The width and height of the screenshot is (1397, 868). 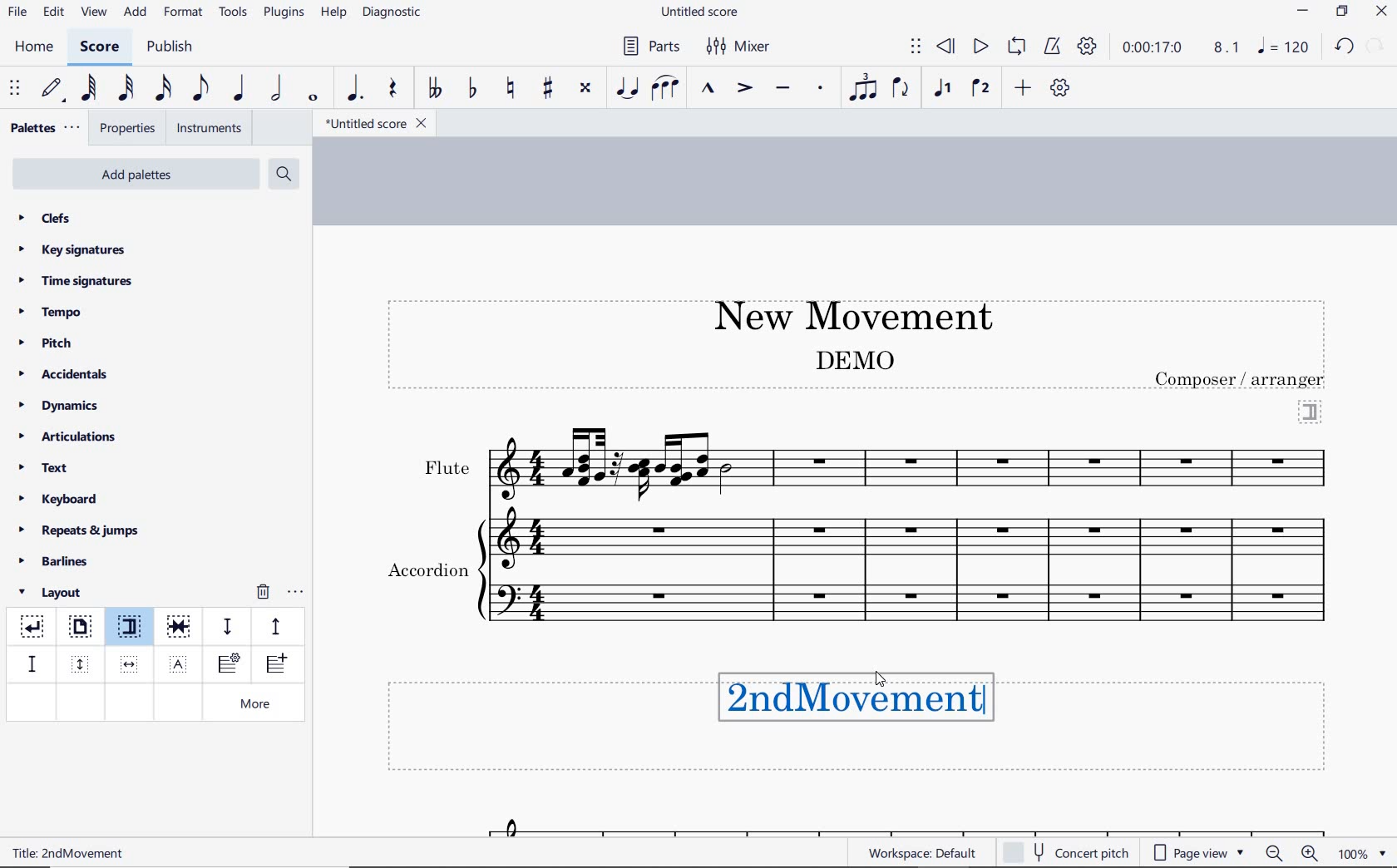 What do you see at coordinates (282, 175) in the screenshot?
I see `search palettes` at bounding box center [282, 175].